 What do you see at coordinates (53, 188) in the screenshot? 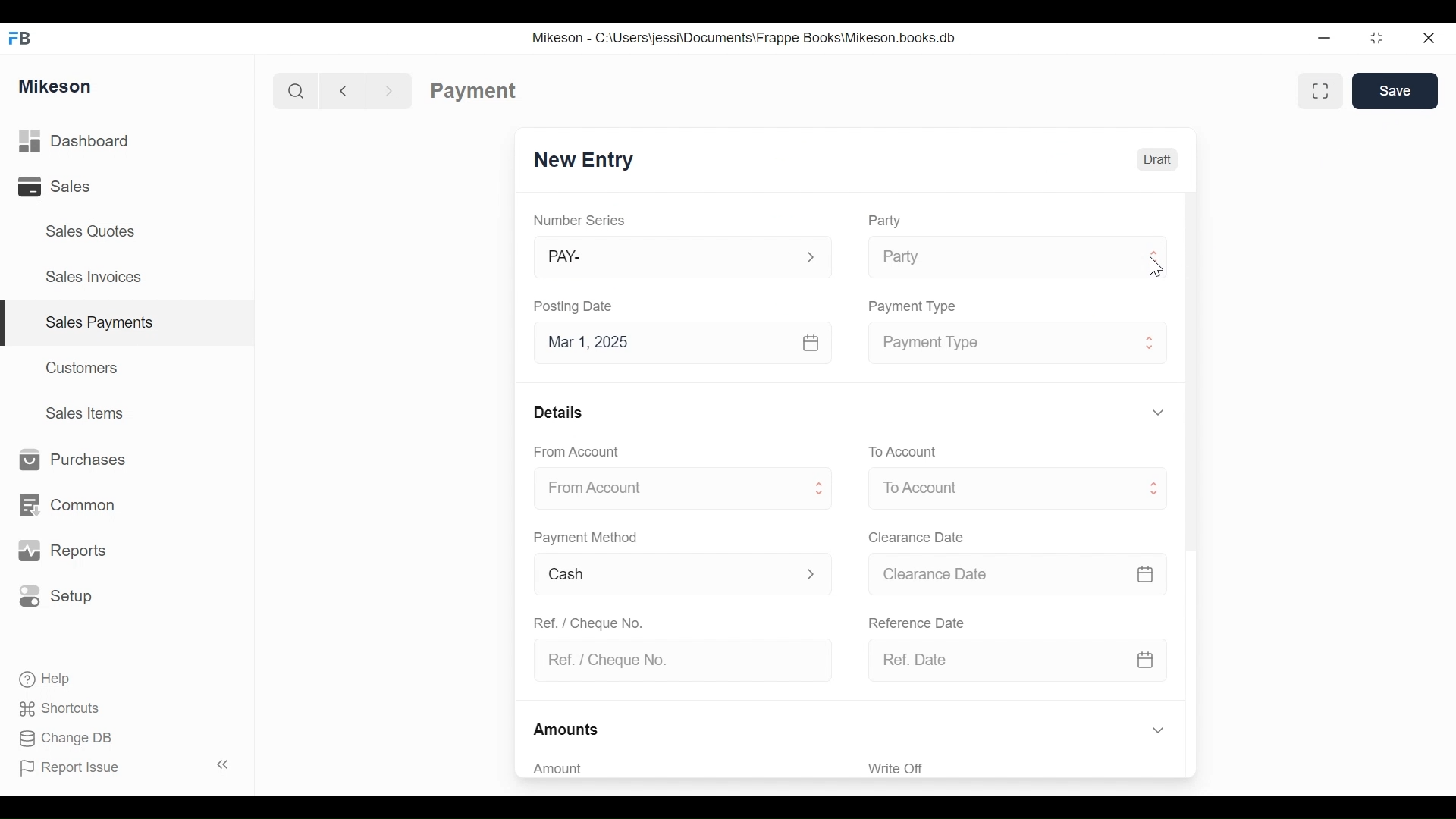
I see `Sales` at bounding box center [53, 188].